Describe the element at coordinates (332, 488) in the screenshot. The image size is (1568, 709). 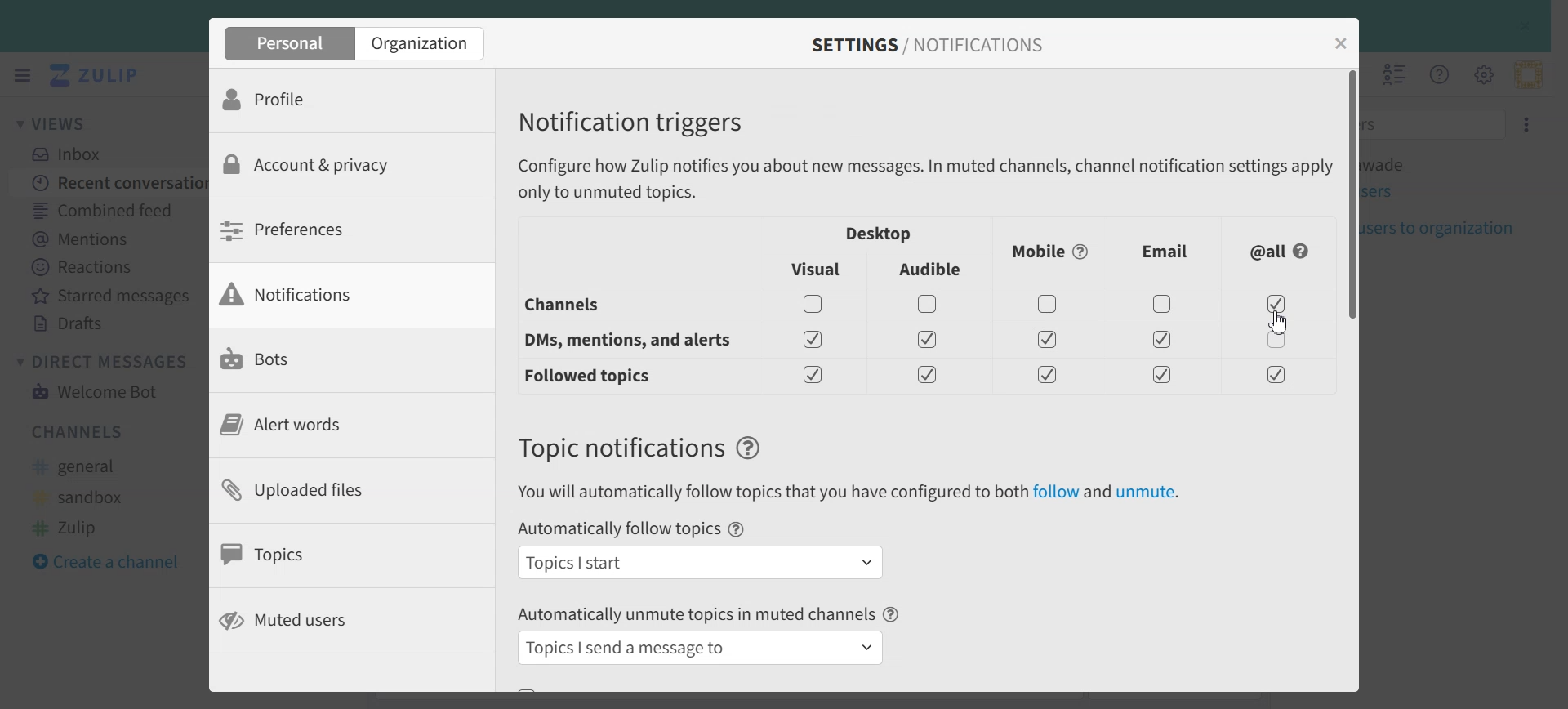
I see `Uploaded files` at that location.